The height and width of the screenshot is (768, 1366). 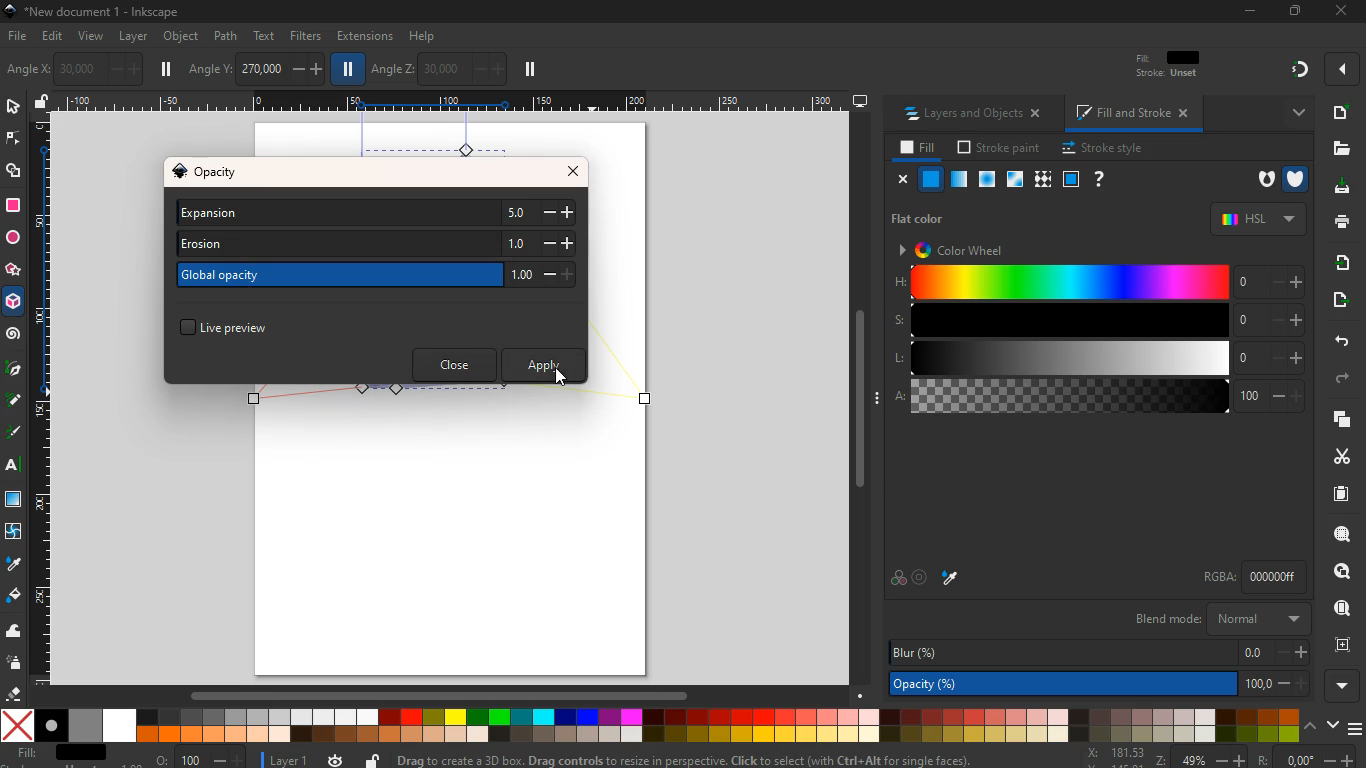 What do you see at coordinates (1293, 12) in the screenshot?
I see `Restore` at bounding box center [1293, 12].